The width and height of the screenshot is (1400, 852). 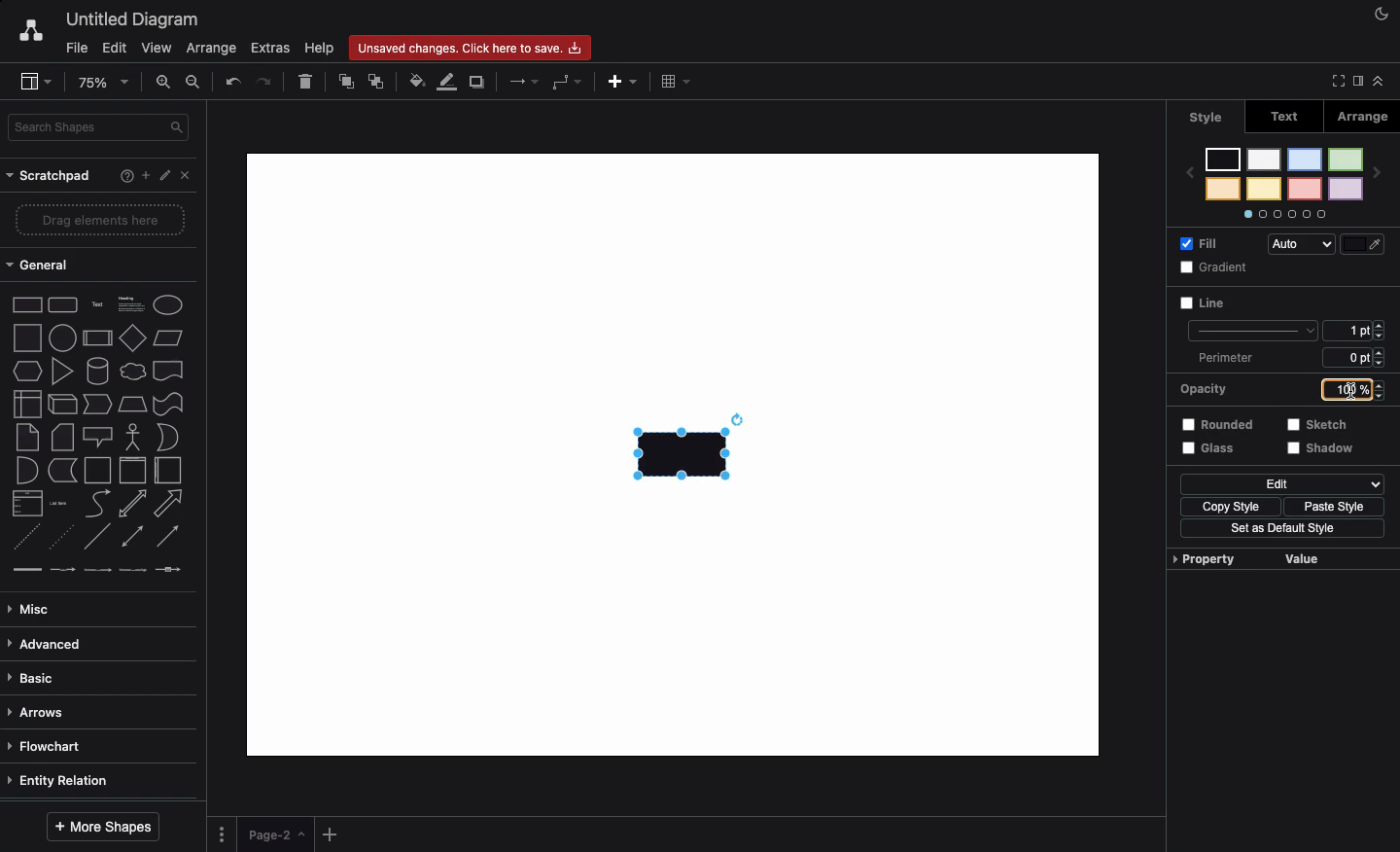 I want to click on View, so click(x=158, y=48).